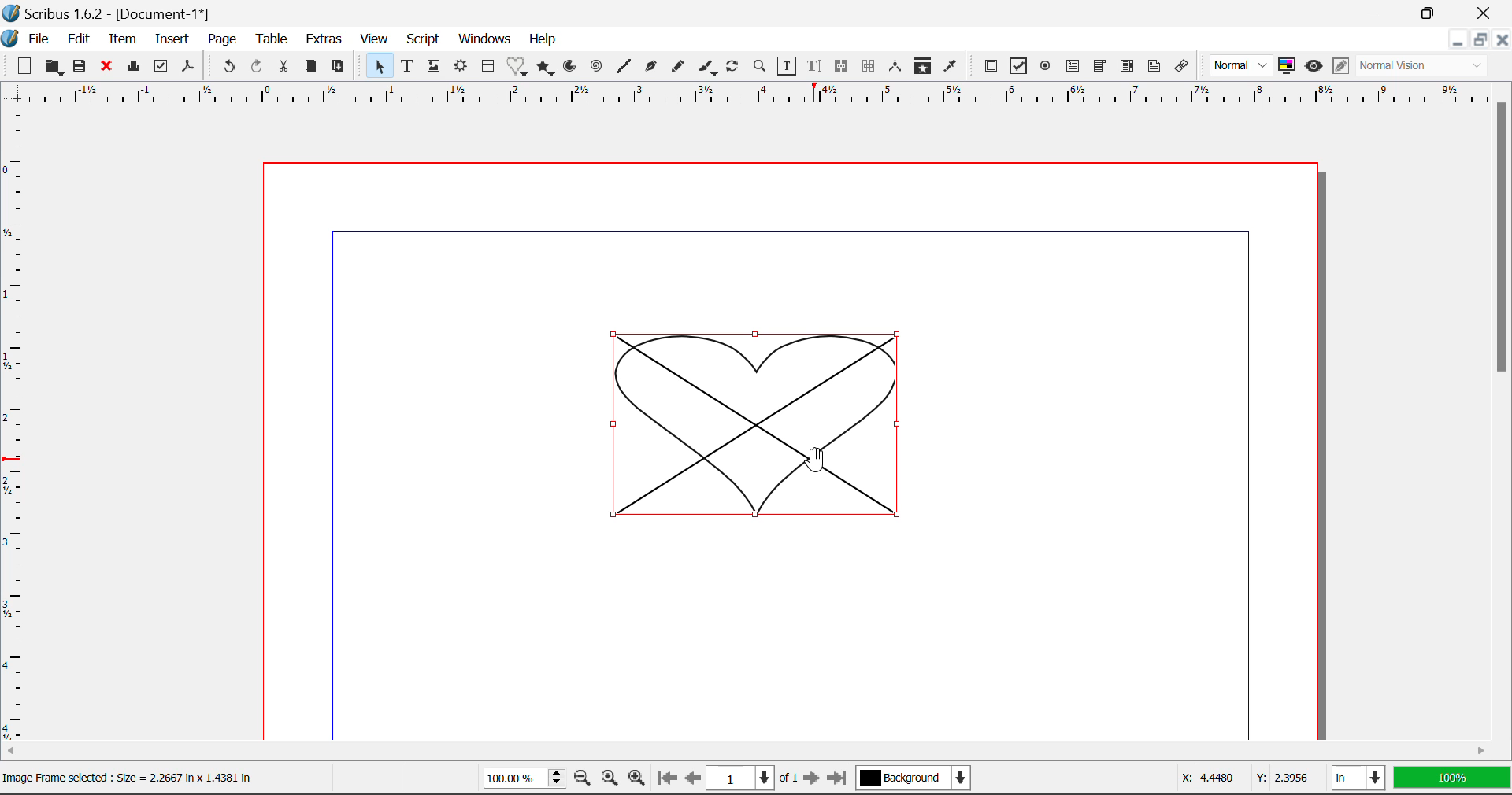 This screenshot has width=1512, height=795. I want to click on Cursor, so click(819, 462).